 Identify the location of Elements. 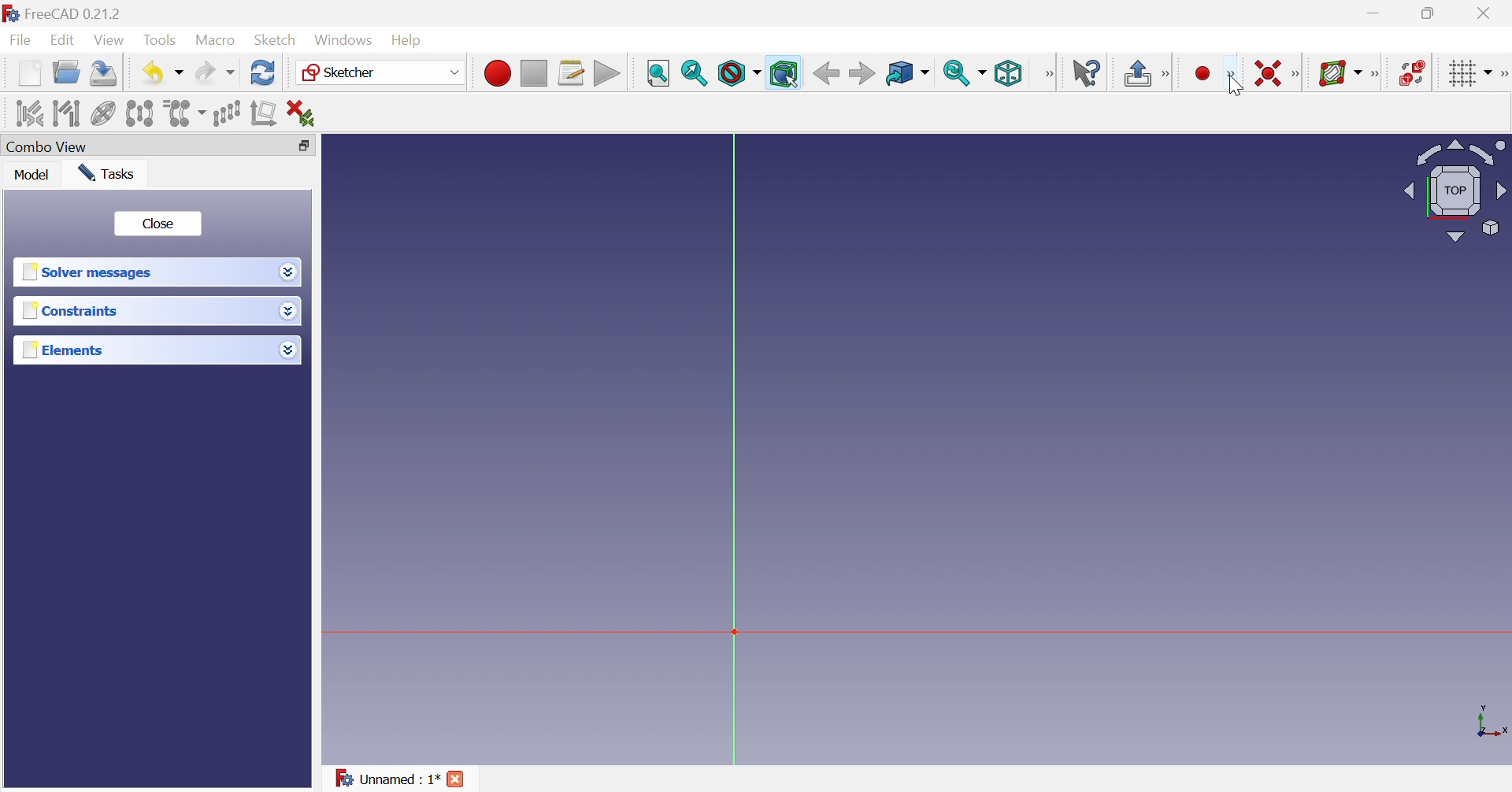
(65, 350).